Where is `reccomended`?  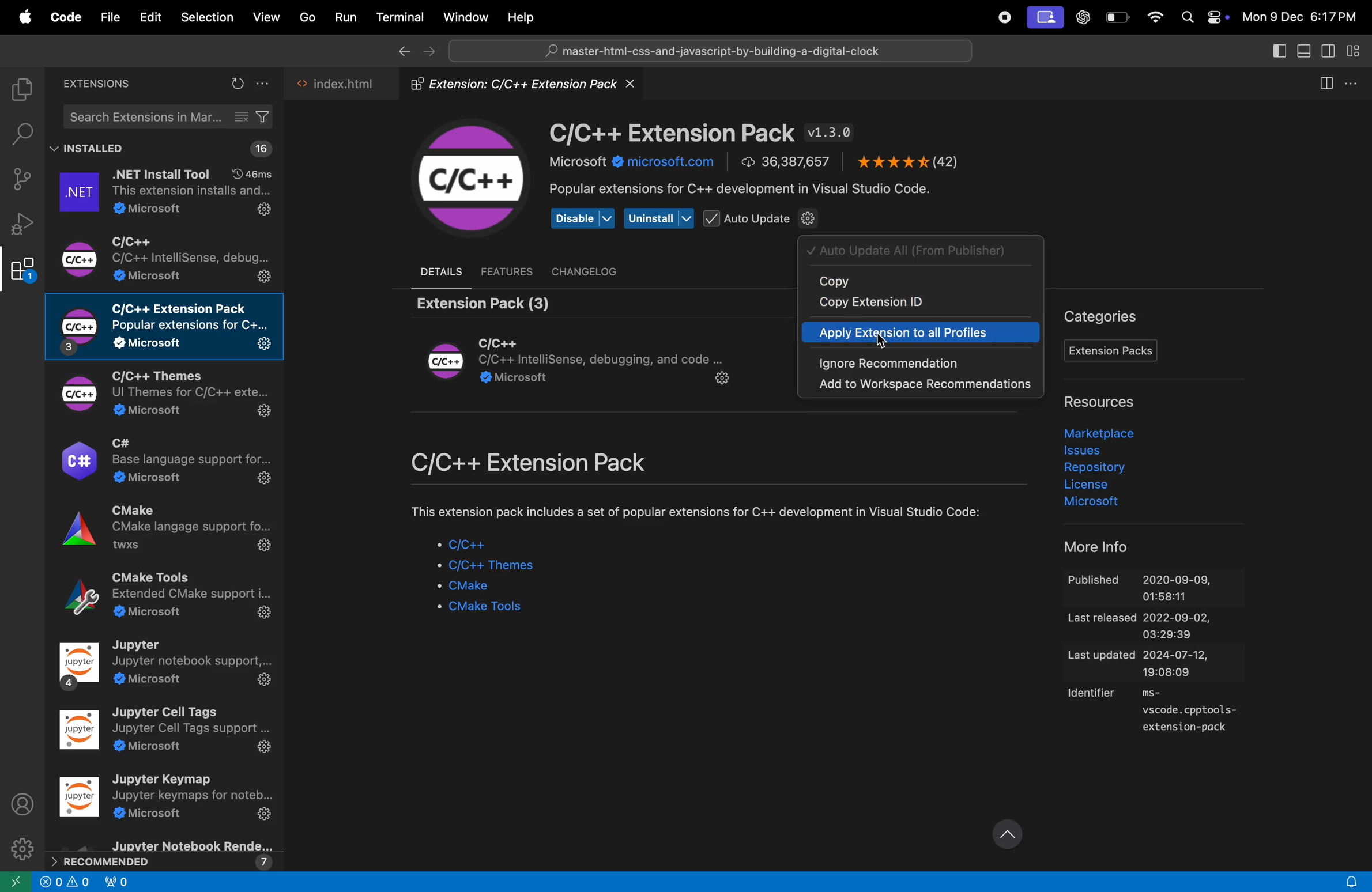 reccomended is located at coordinates (163, 854).